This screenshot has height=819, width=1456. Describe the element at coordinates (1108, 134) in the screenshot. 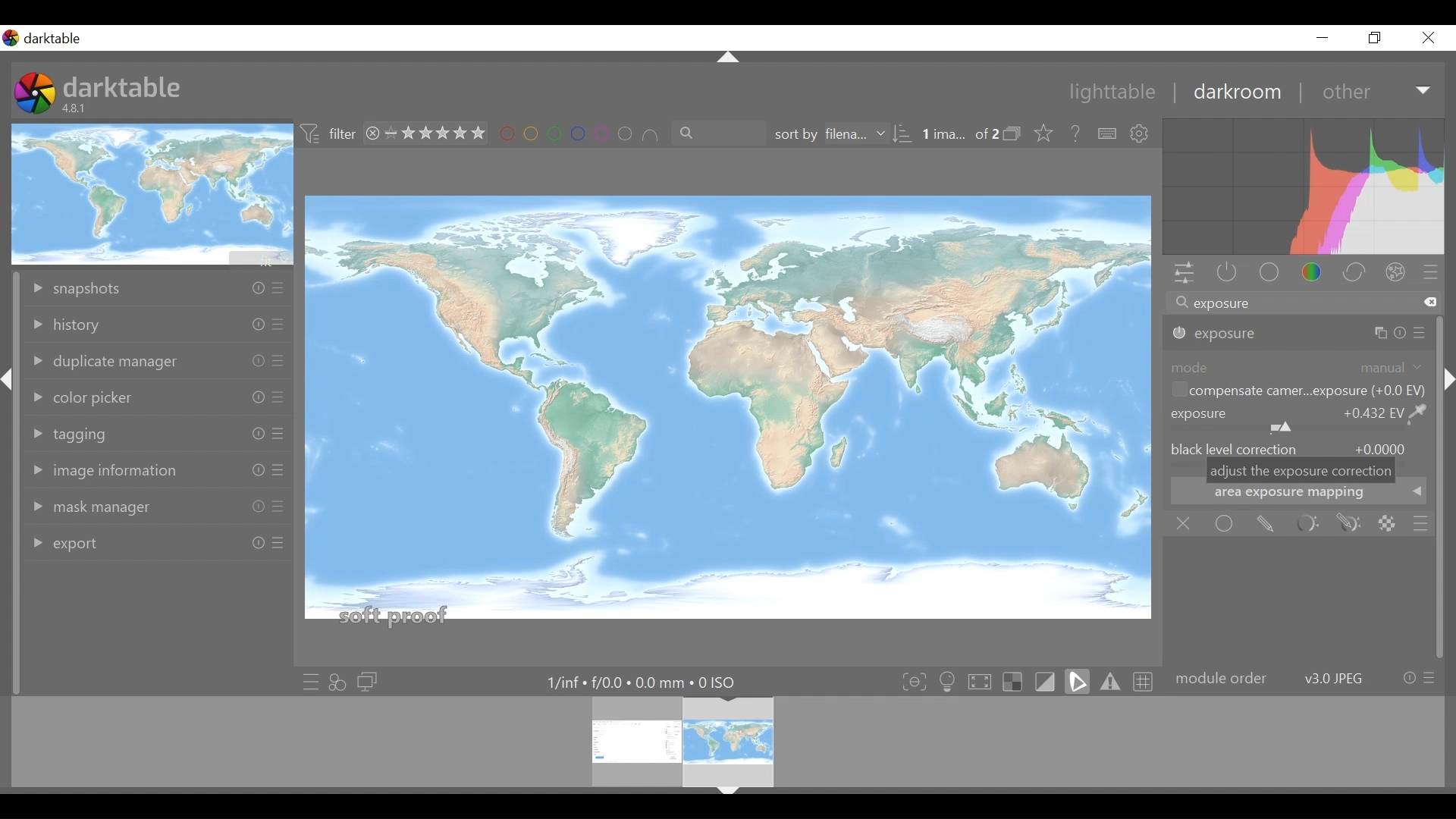

I see `define shortcuts` at that location.